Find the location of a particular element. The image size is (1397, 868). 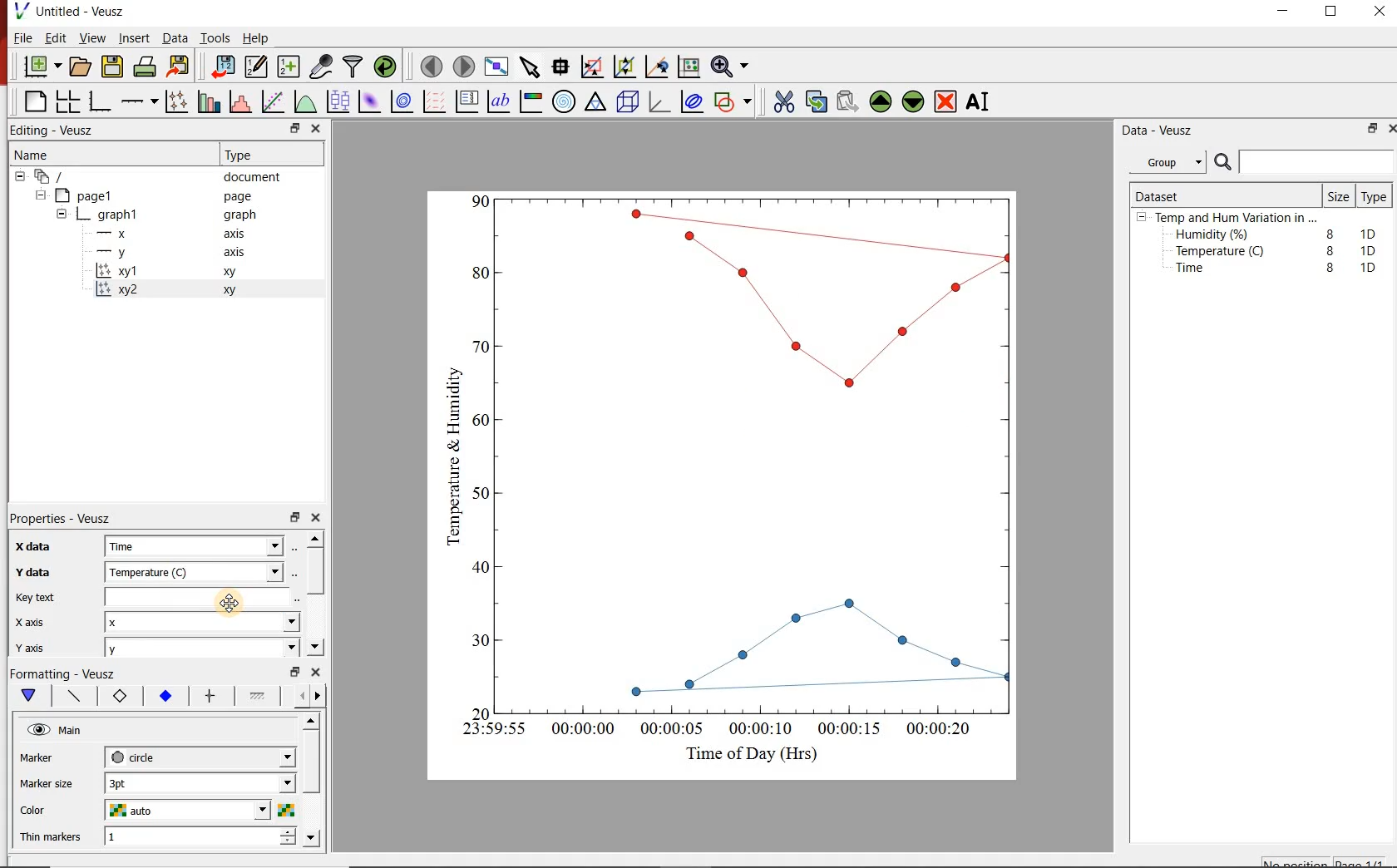

8 is located at coordinates (1330, 268).